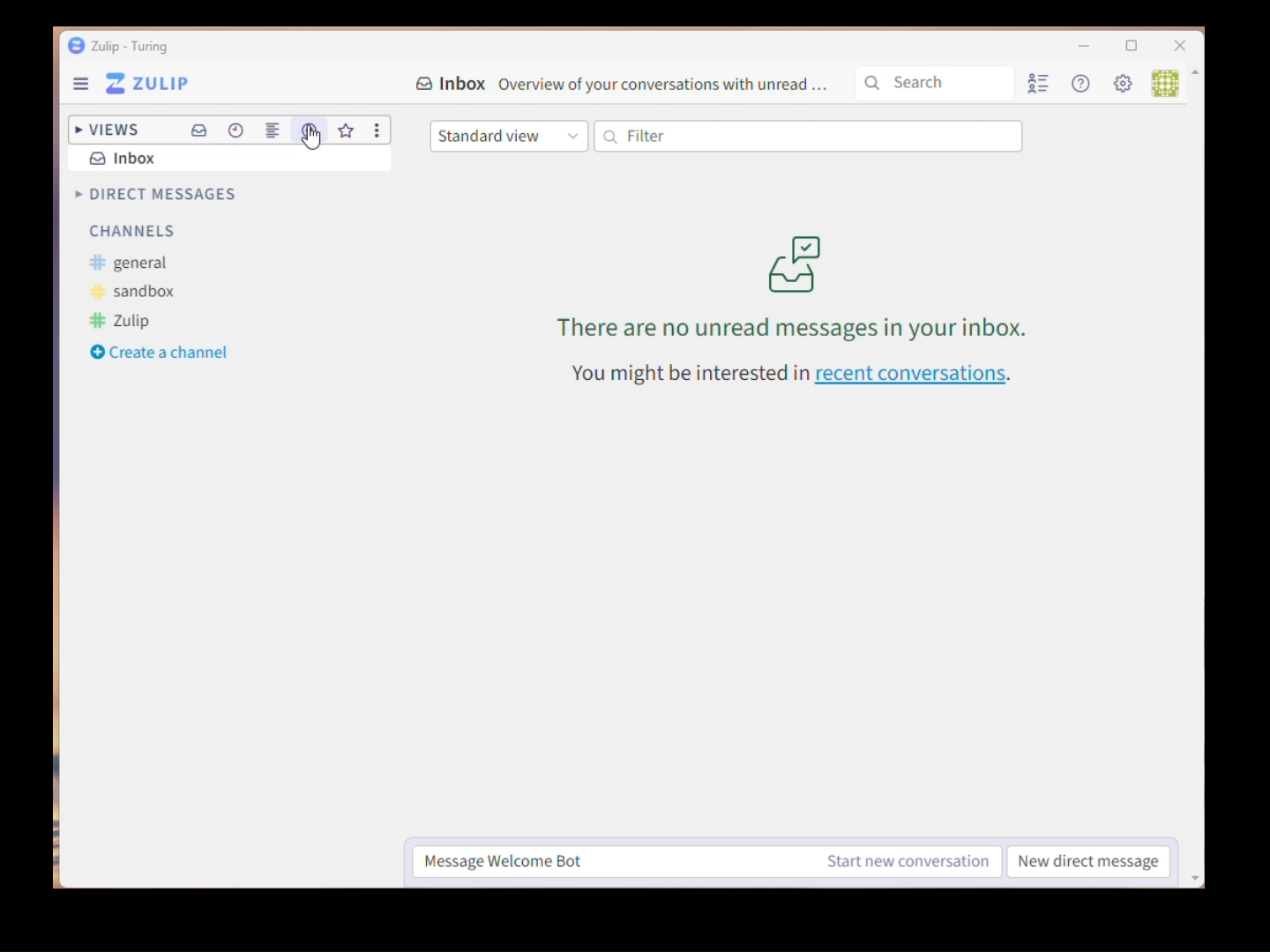 This screenshot has height=952, width=1270. I want to click on Inbox, so click(199, 133).